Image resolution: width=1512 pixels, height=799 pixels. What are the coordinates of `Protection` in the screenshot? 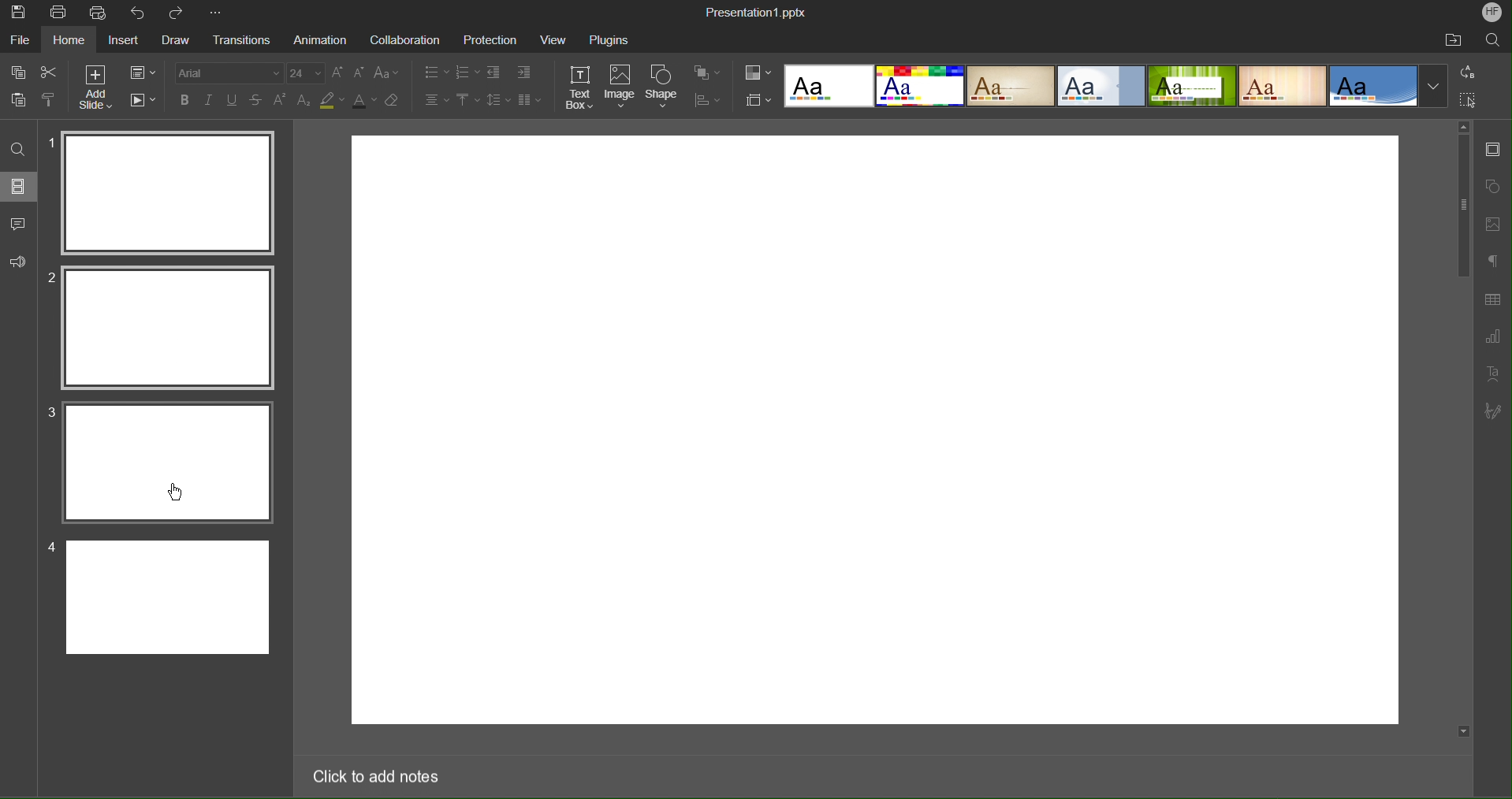 It's located at (490, 39).